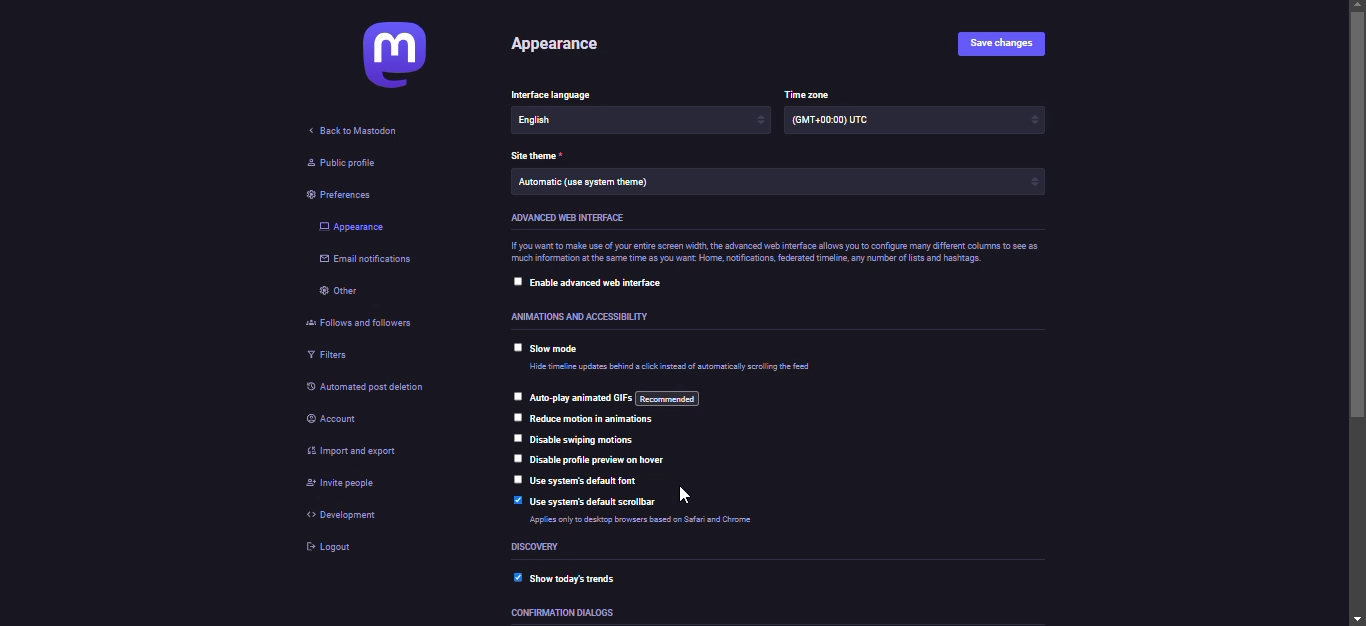 This screenshot has height=626, width=1366. I want to click on time zone, so click(807, 90).